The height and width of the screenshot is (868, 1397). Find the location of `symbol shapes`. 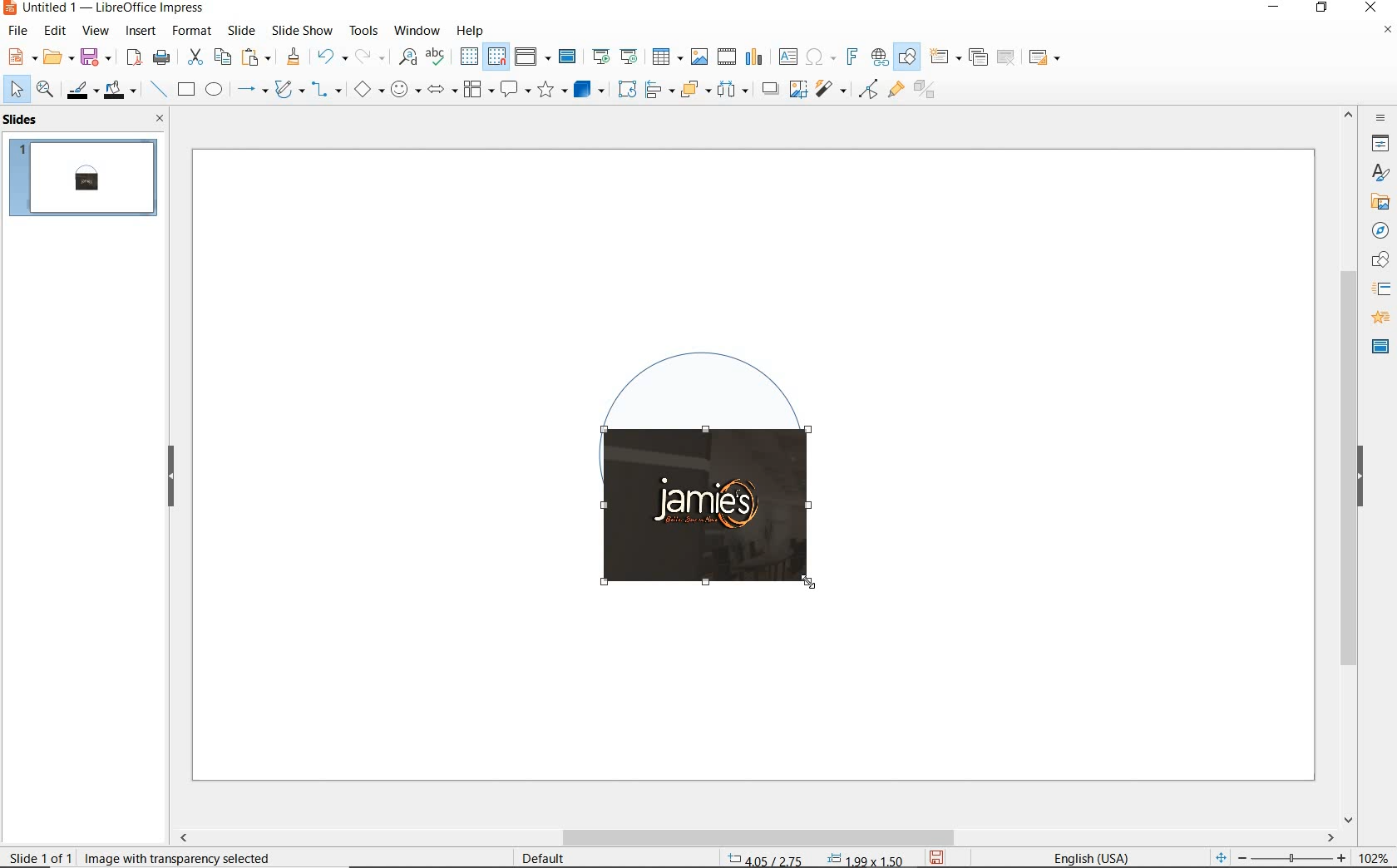

symbol shapes is located at coordinates (405, 89).